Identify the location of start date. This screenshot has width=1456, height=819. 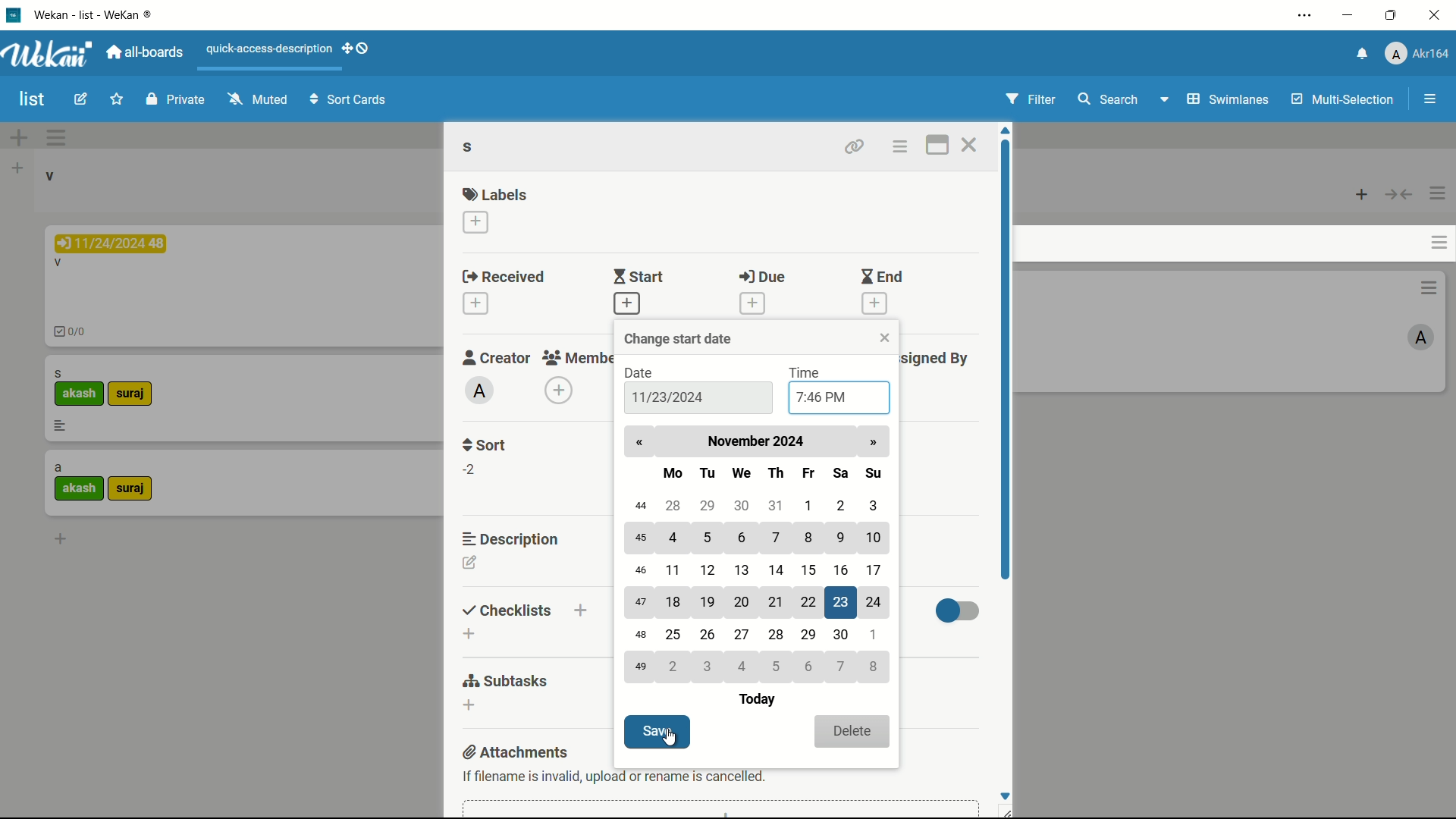
(667, 398).